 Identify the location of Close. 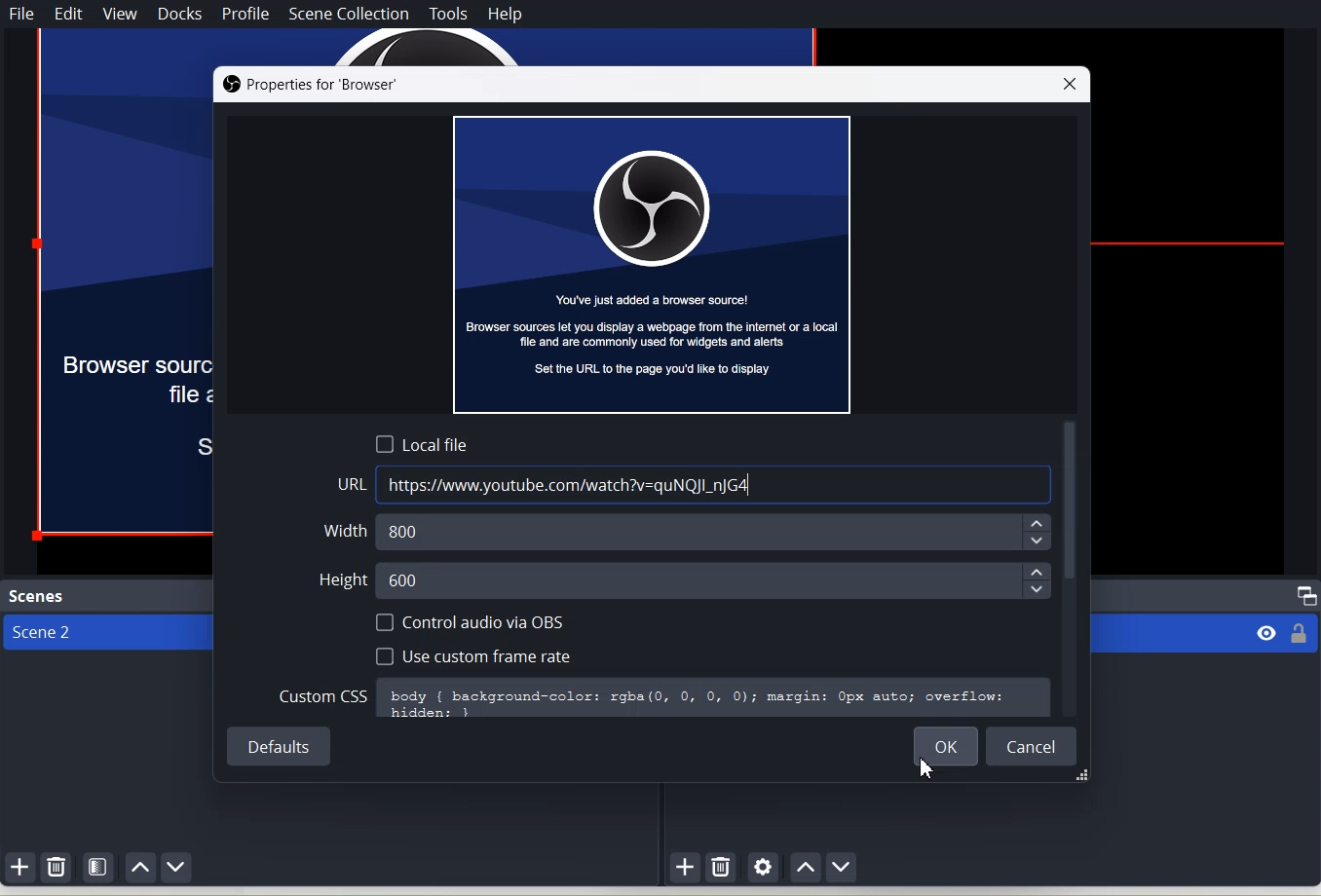
(1074, 83).